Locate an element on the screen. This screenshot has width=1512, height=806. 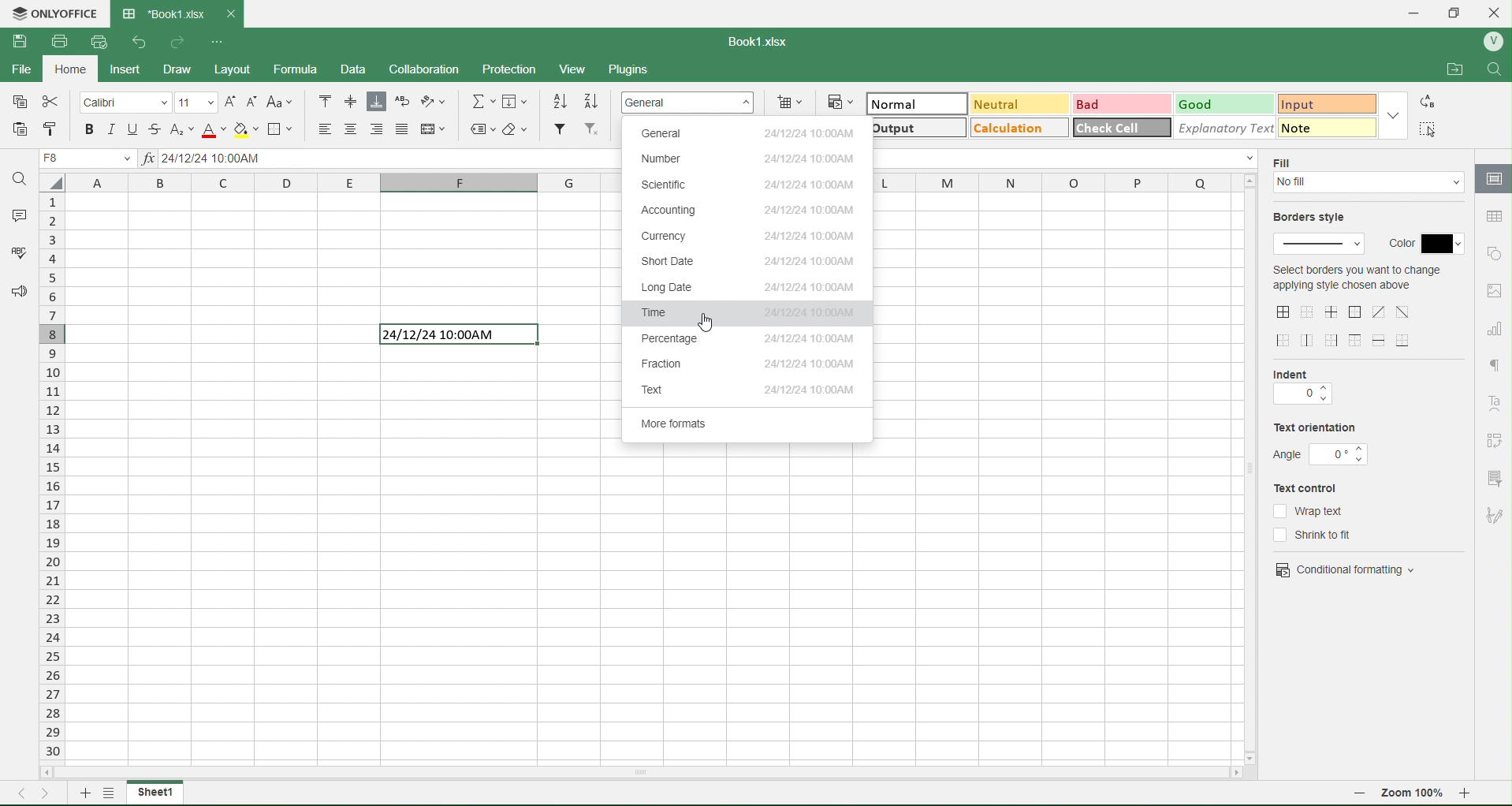
Number is located at coordinates (762, 161).